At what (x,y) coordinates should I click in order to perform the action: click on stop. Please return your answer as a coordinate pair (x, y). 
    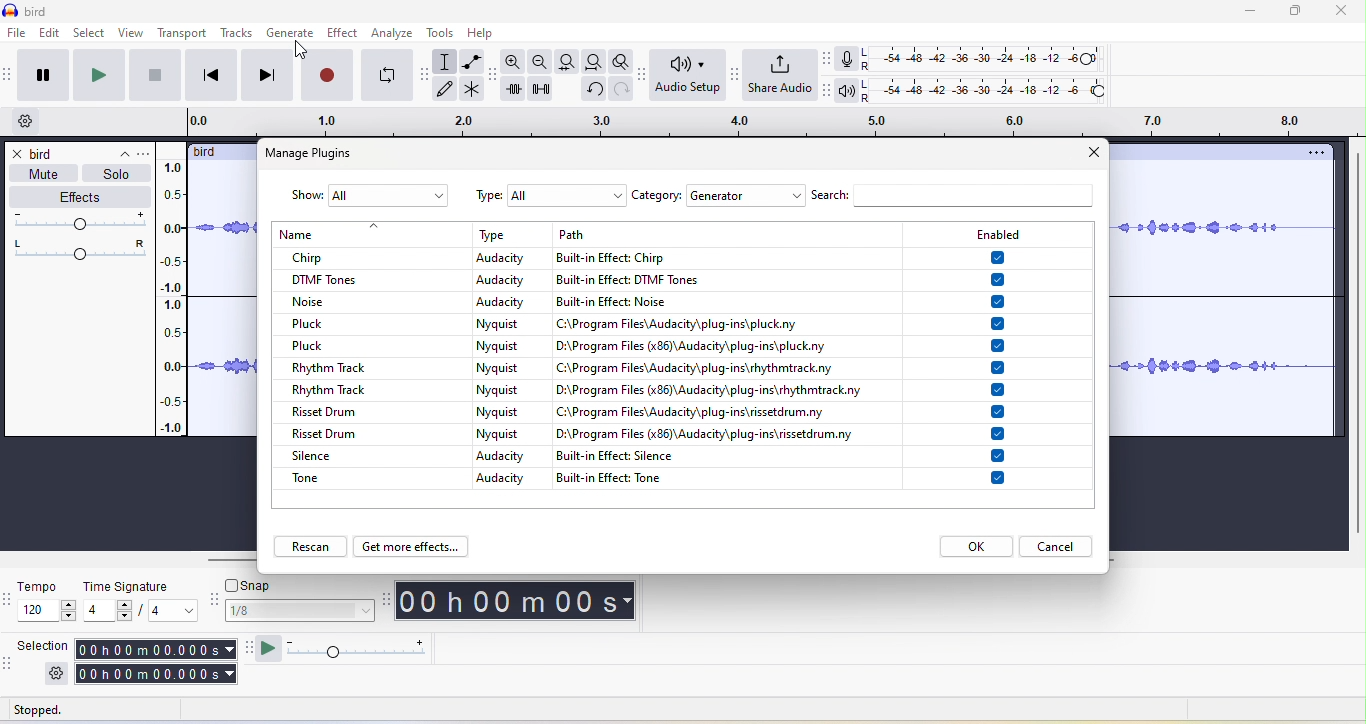
    Looking at the image, I should click on (154, 75).